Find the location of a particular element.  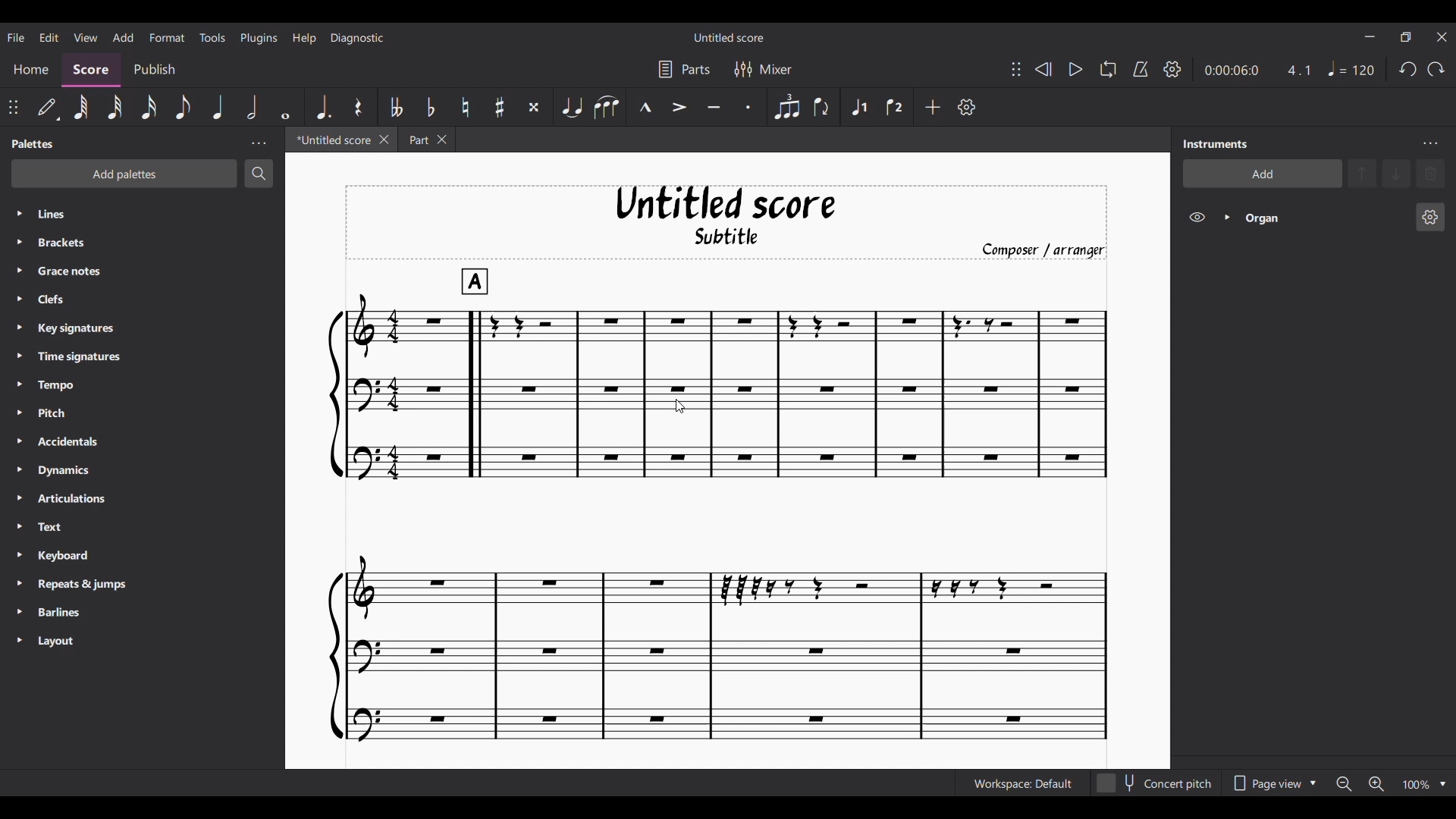

32nd note is located at coordinates (115, 108).